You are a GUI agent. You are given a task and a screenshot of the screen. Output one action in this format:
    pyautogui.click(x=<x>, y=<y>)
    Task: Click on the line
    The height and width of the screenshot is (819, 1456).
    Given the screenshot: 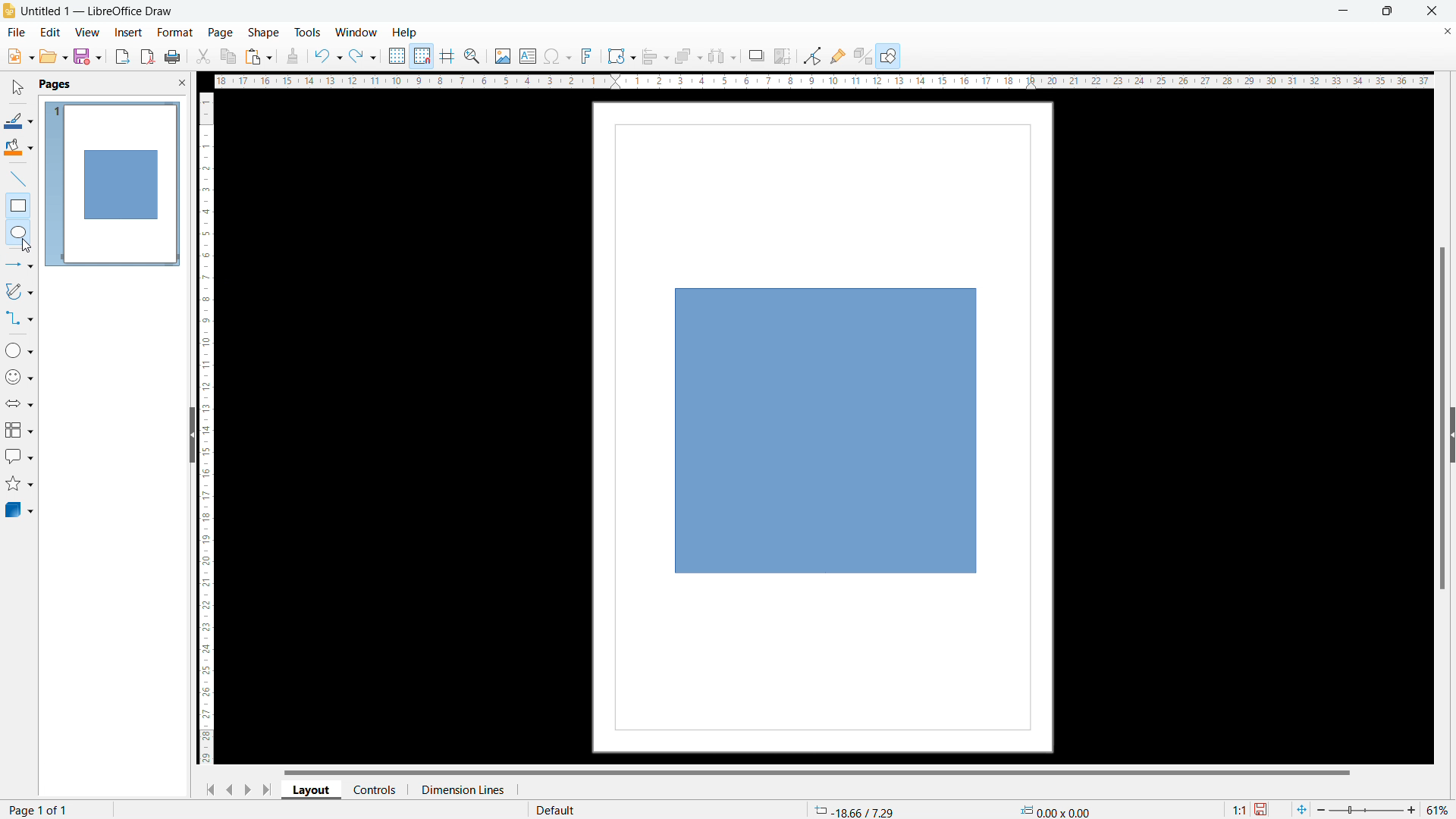 What is the action you would take?
    pyautogui.click(x=19, y=180)
    